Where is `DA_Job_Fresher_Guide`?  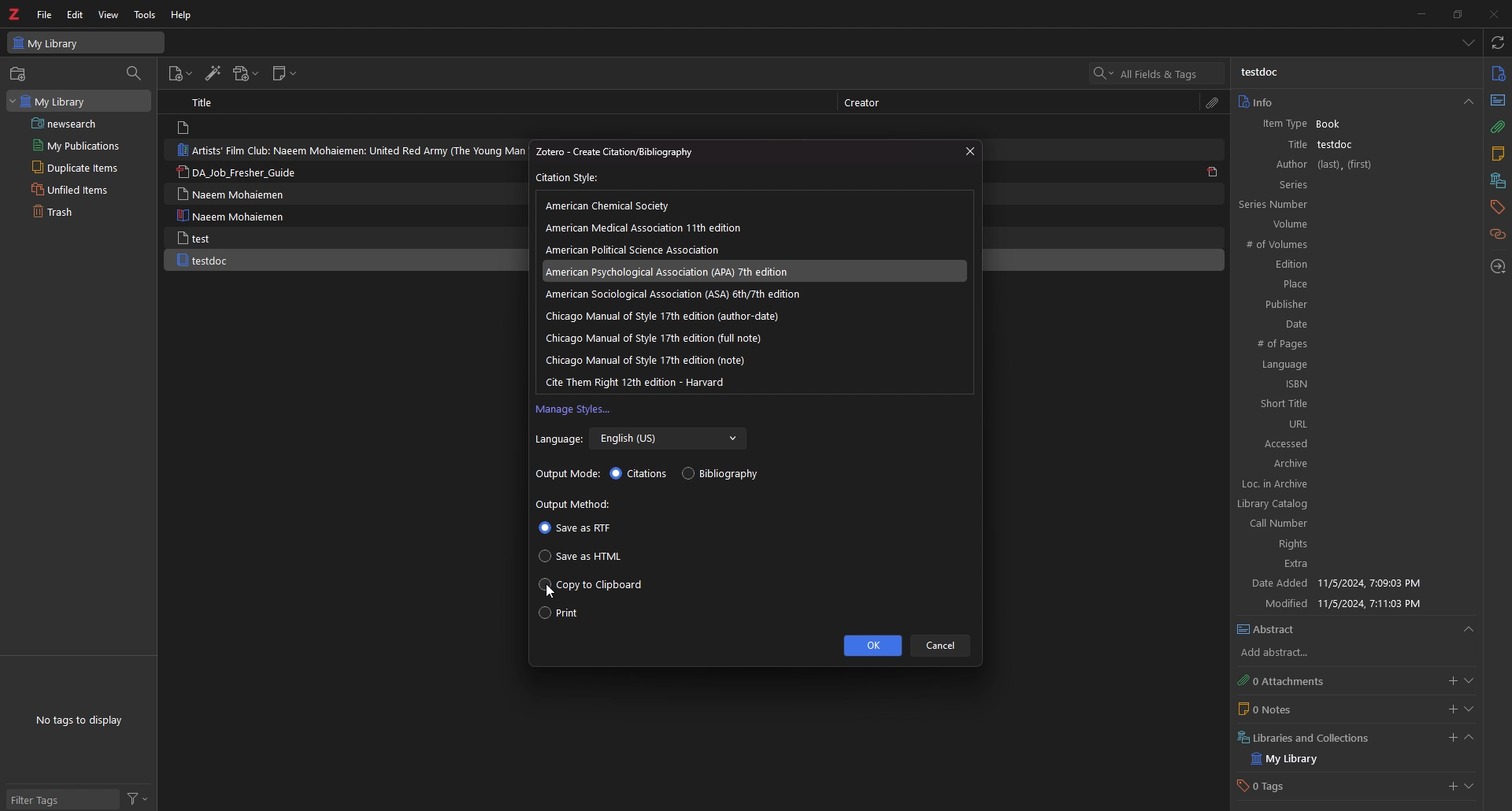 DA_Job_Fresher_Guide is located at coordinates (244, 173).